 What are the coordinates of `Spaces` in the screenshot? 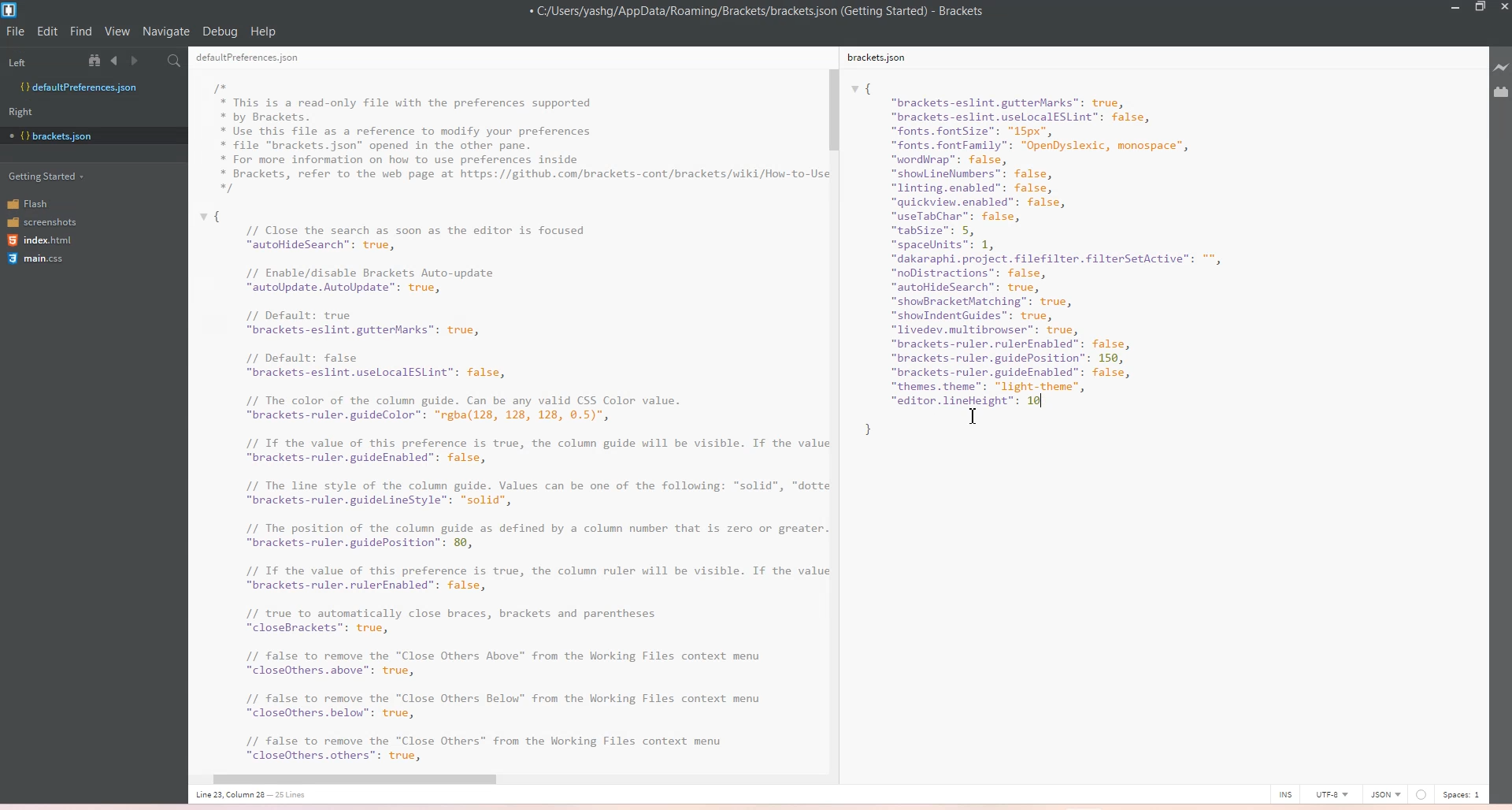 It's located at (1462, 794).